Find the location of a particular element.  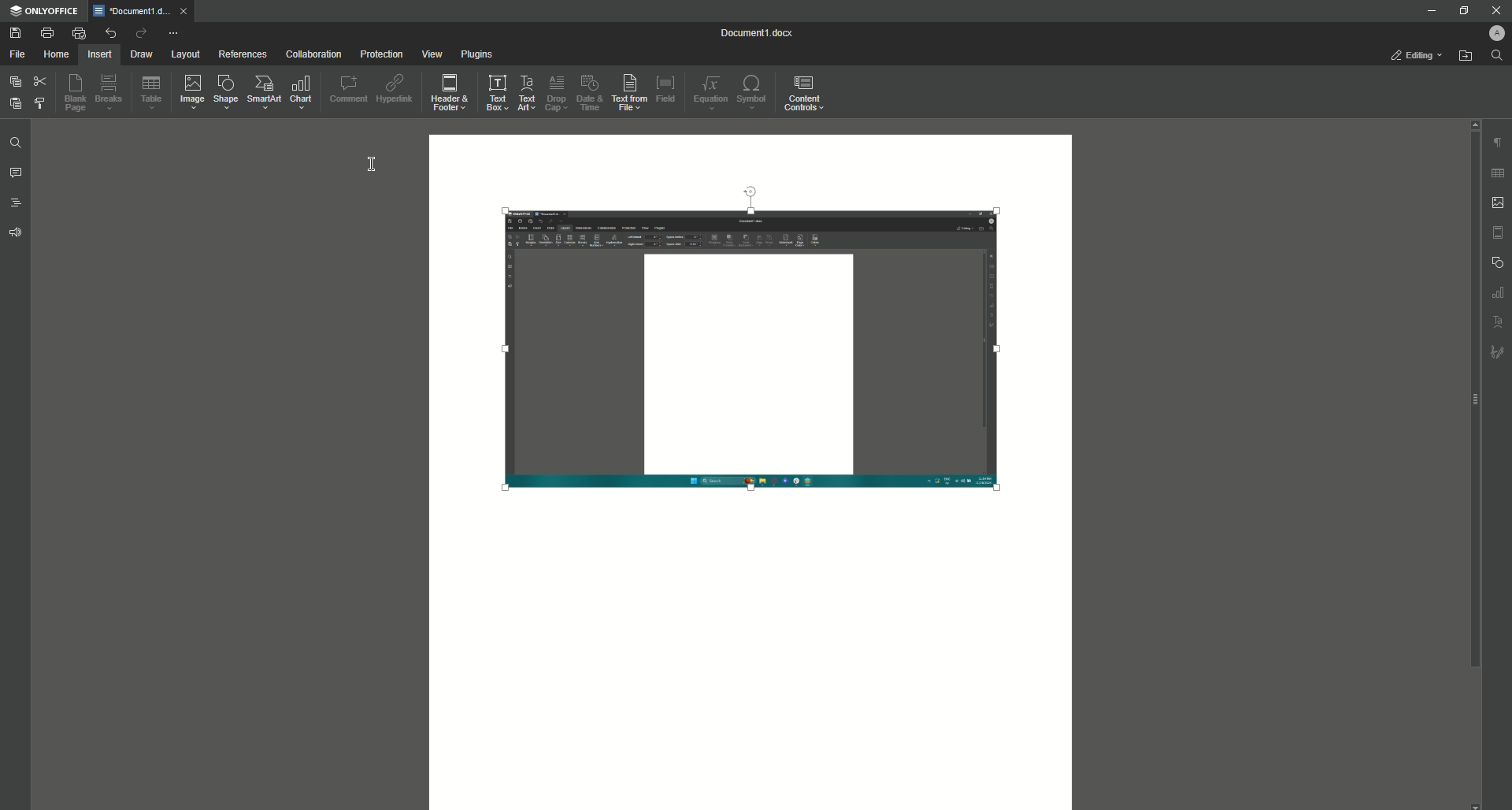

Content Controls is located at coordinates (808, 96).